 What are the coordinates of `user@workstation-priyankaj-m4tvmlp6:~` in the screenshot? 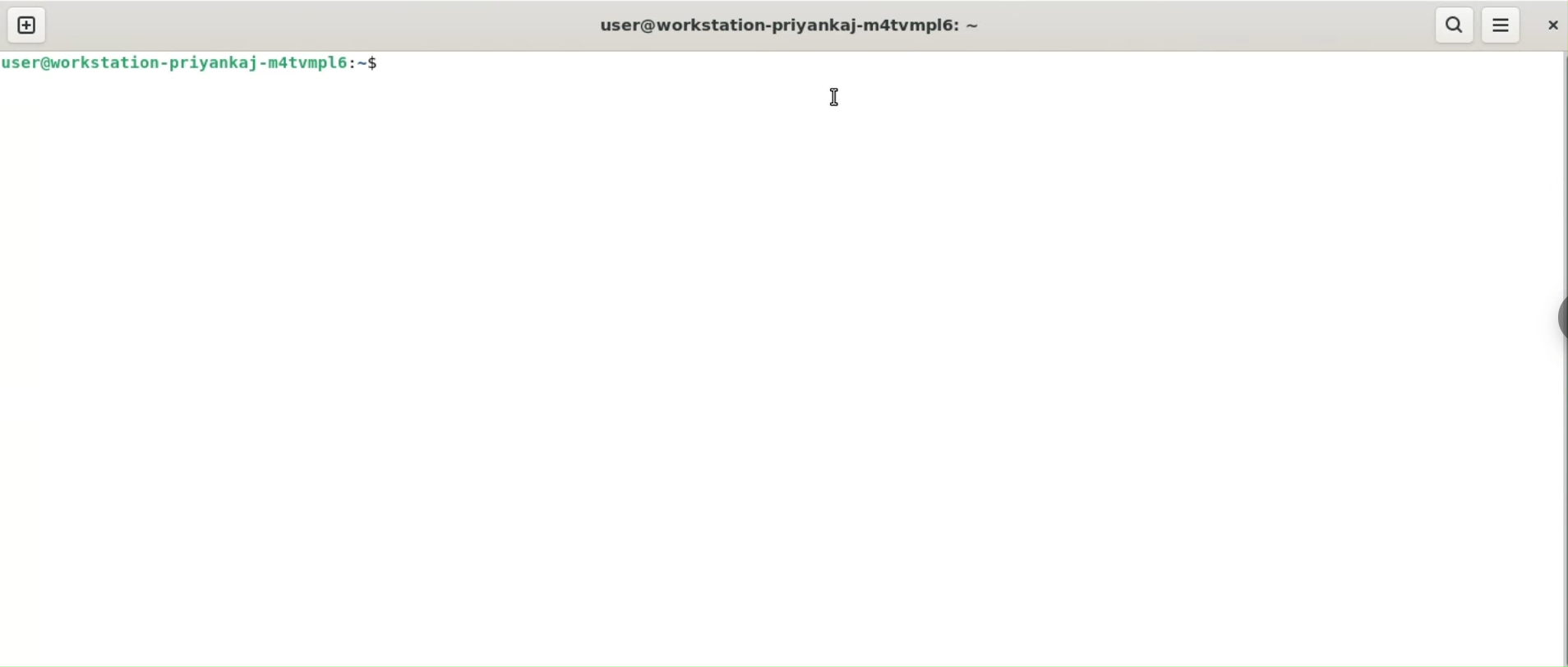 It's located at (787, 25).